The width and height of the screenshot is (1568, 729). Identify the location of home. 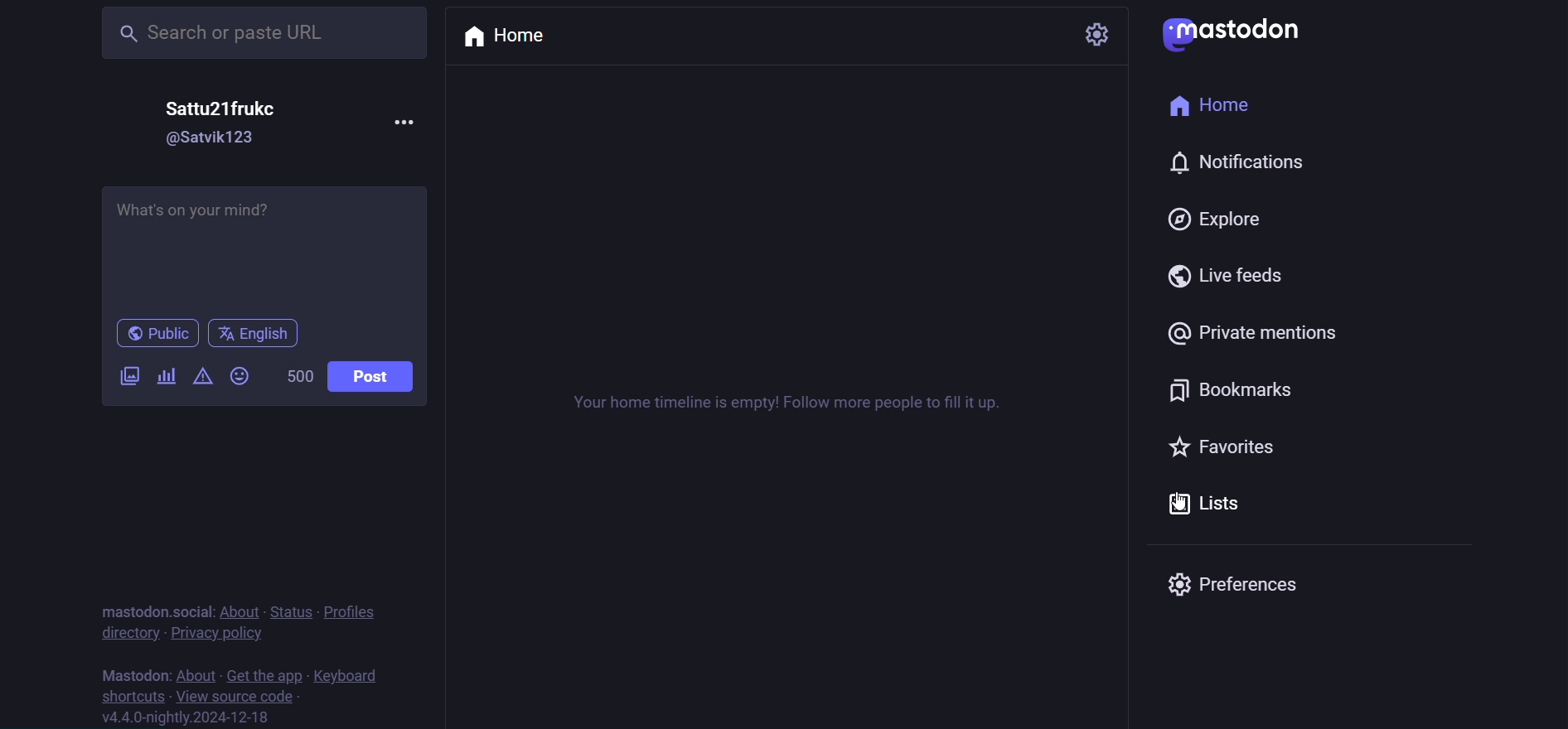
(1208, 106).